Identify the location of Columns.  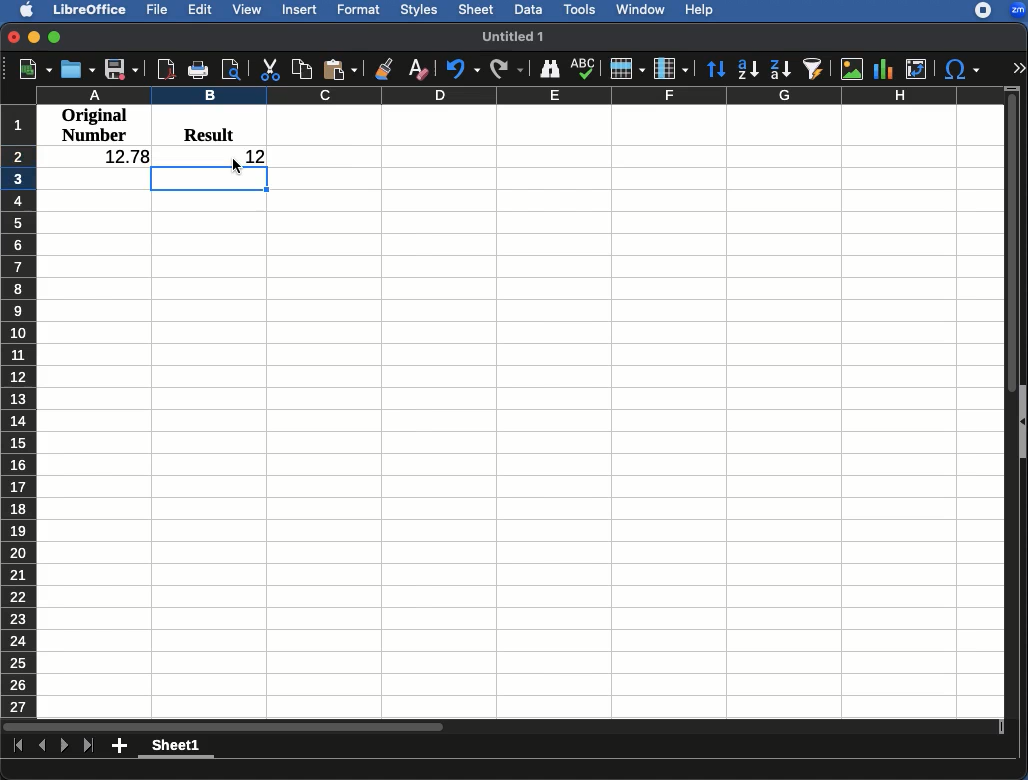
(518, 95).